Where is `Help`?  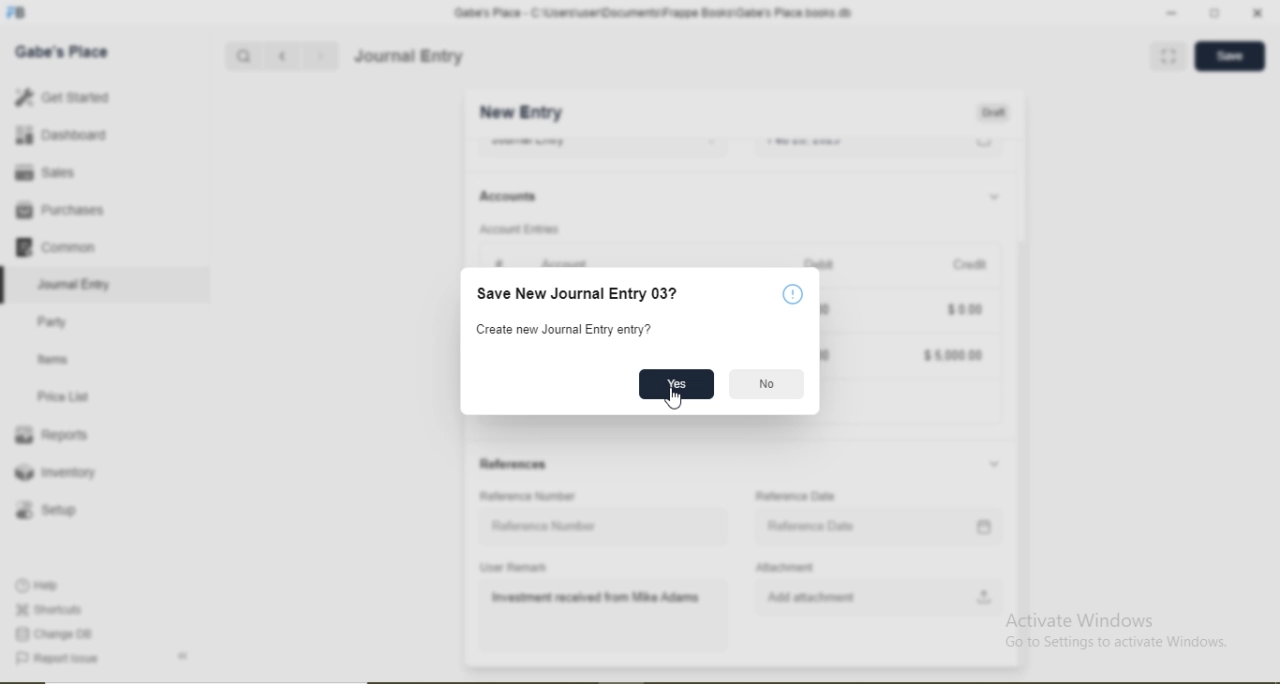 Help is located at coordinates (39, 585).